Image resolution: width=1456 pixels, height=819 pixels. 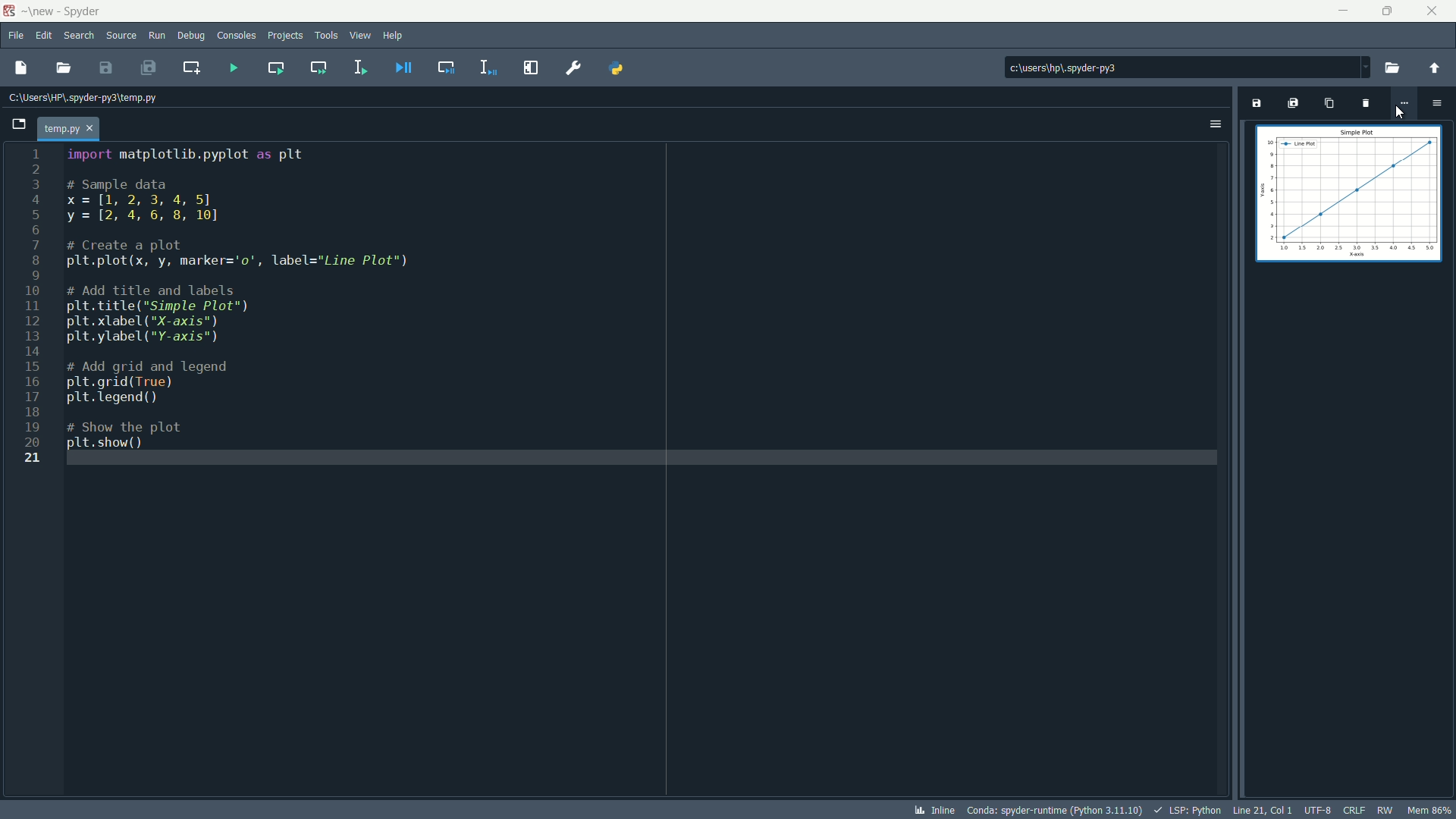 I want to click on new, so click(x=40, y=11).